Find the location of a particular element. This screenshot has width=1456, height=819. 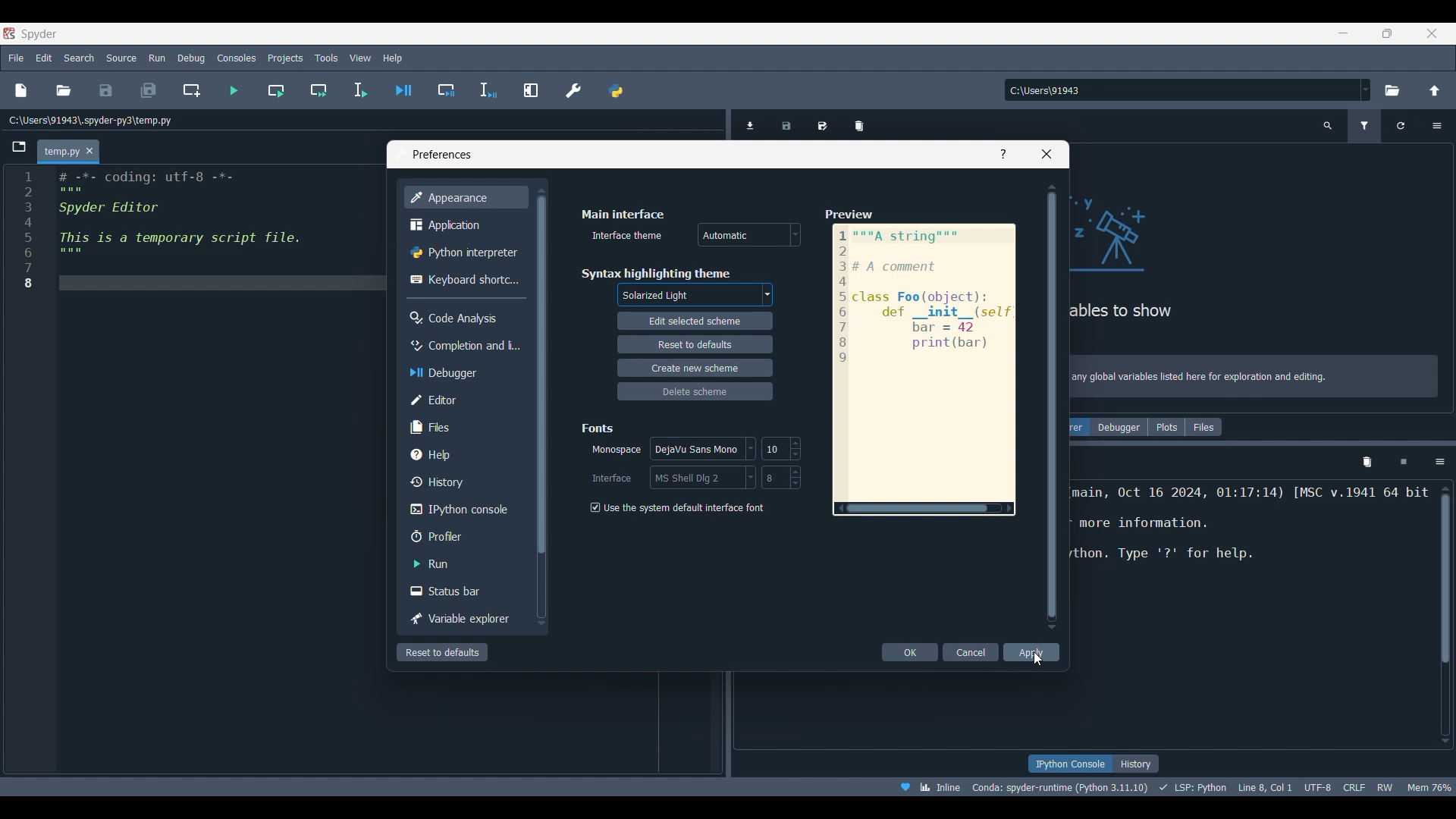

programming language is located at coordinates (1193, 787).